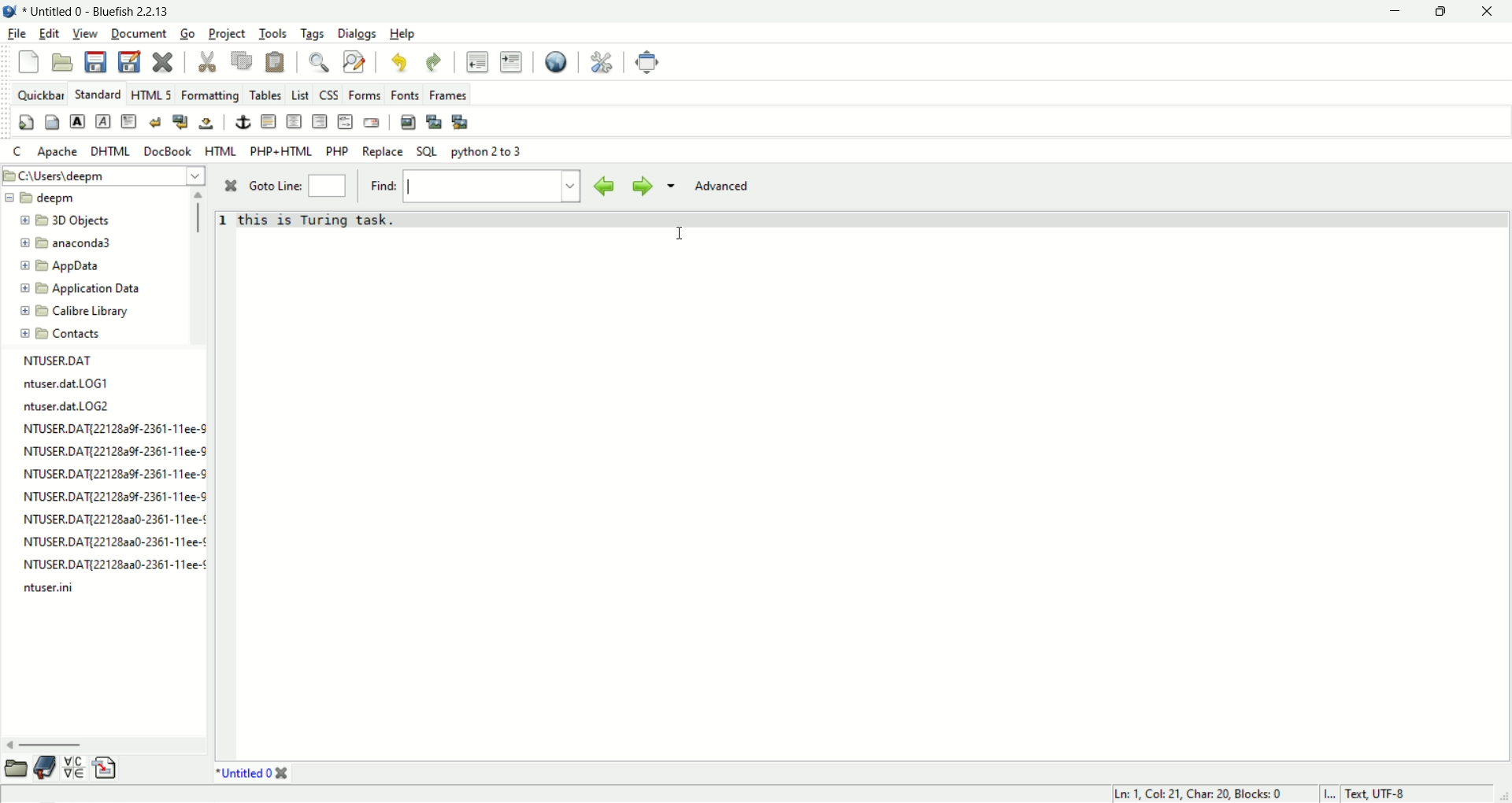 This screenshot has width=1512, height=803. I want to click on close, so click(1494, 12).